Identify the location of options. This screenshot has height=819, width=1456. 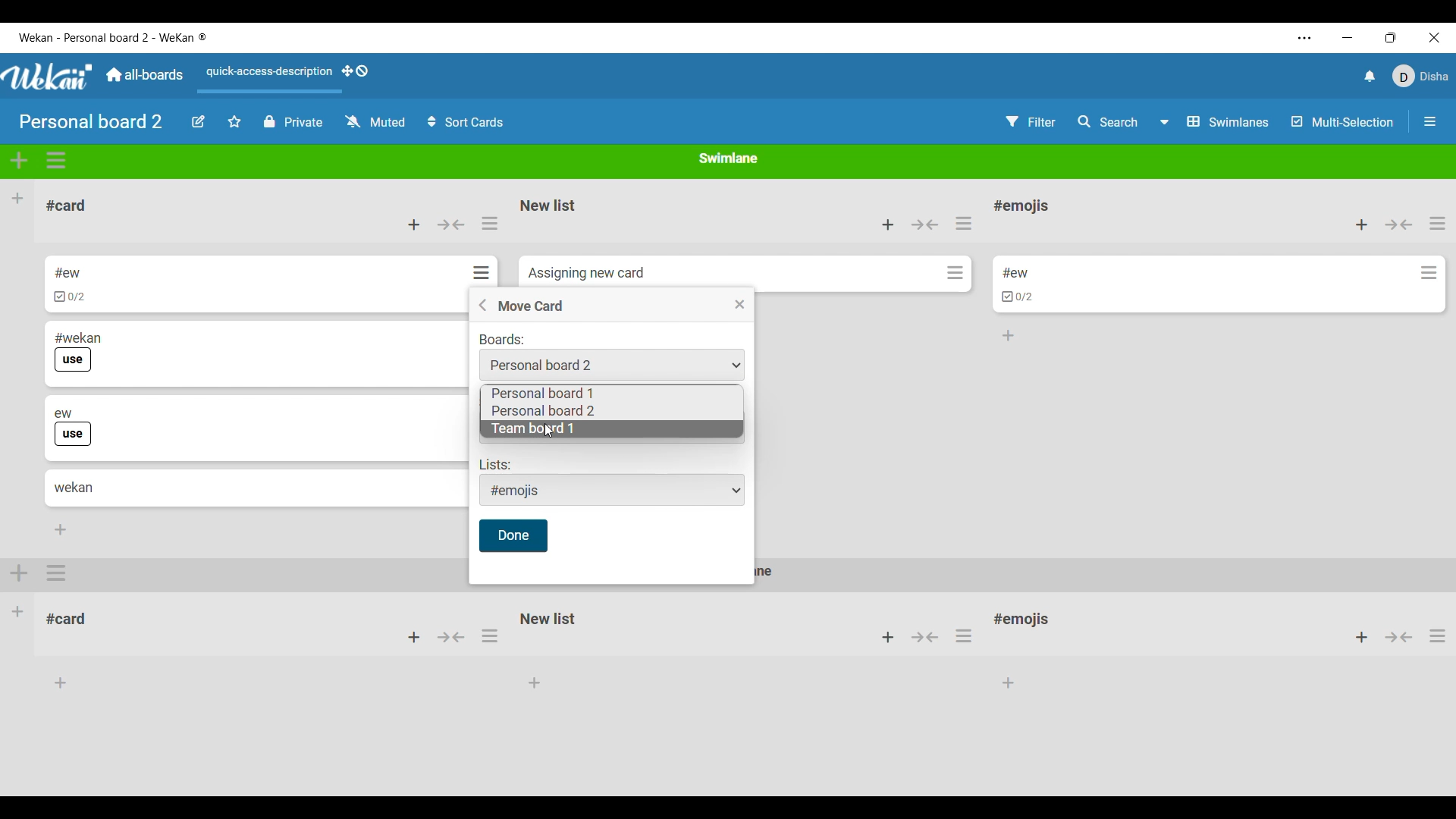
(58, 573).